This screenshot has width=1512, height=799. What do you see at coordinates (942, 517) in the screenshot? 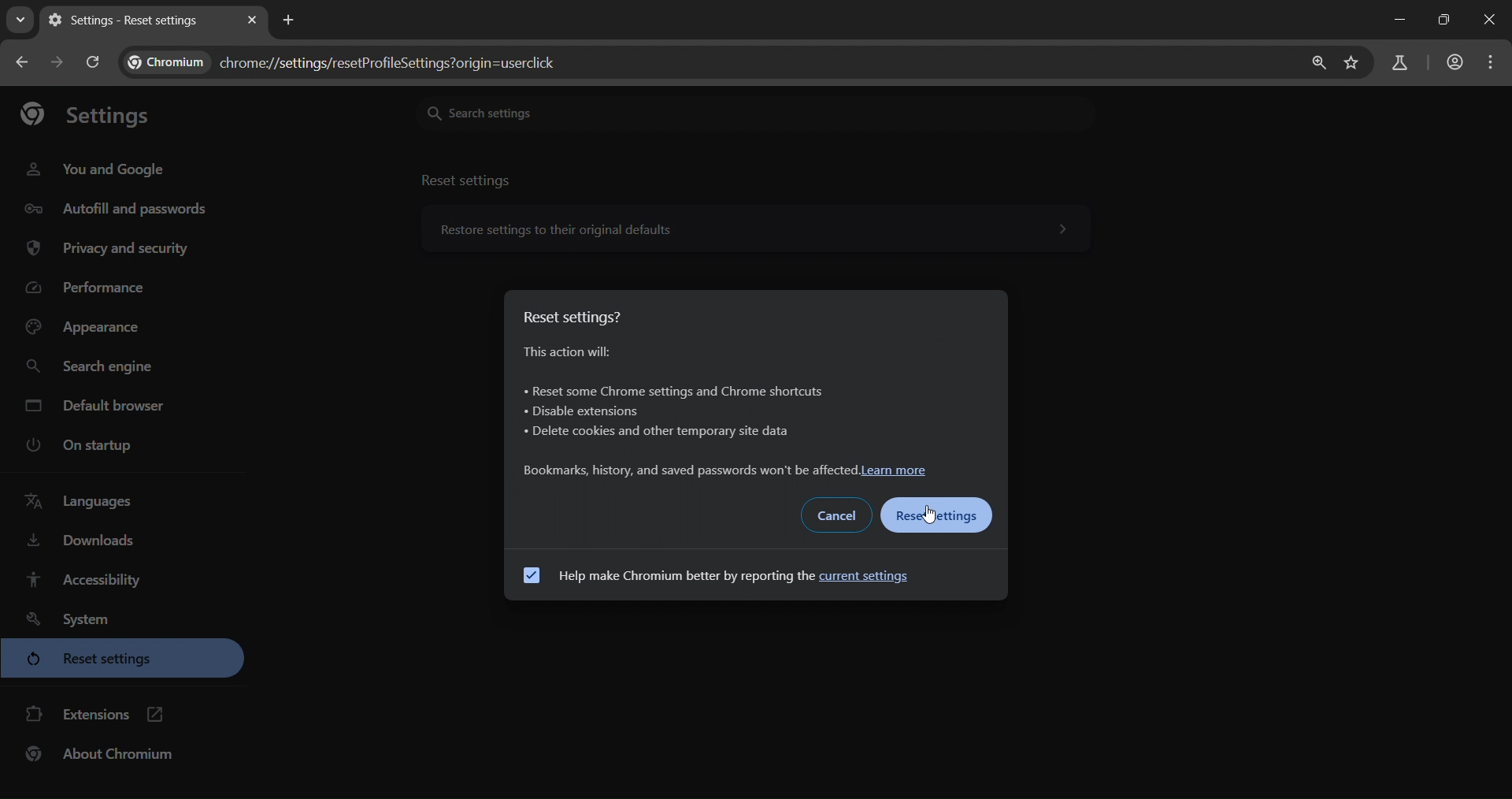
I see `reset settings` at bounding box center [942, 517].